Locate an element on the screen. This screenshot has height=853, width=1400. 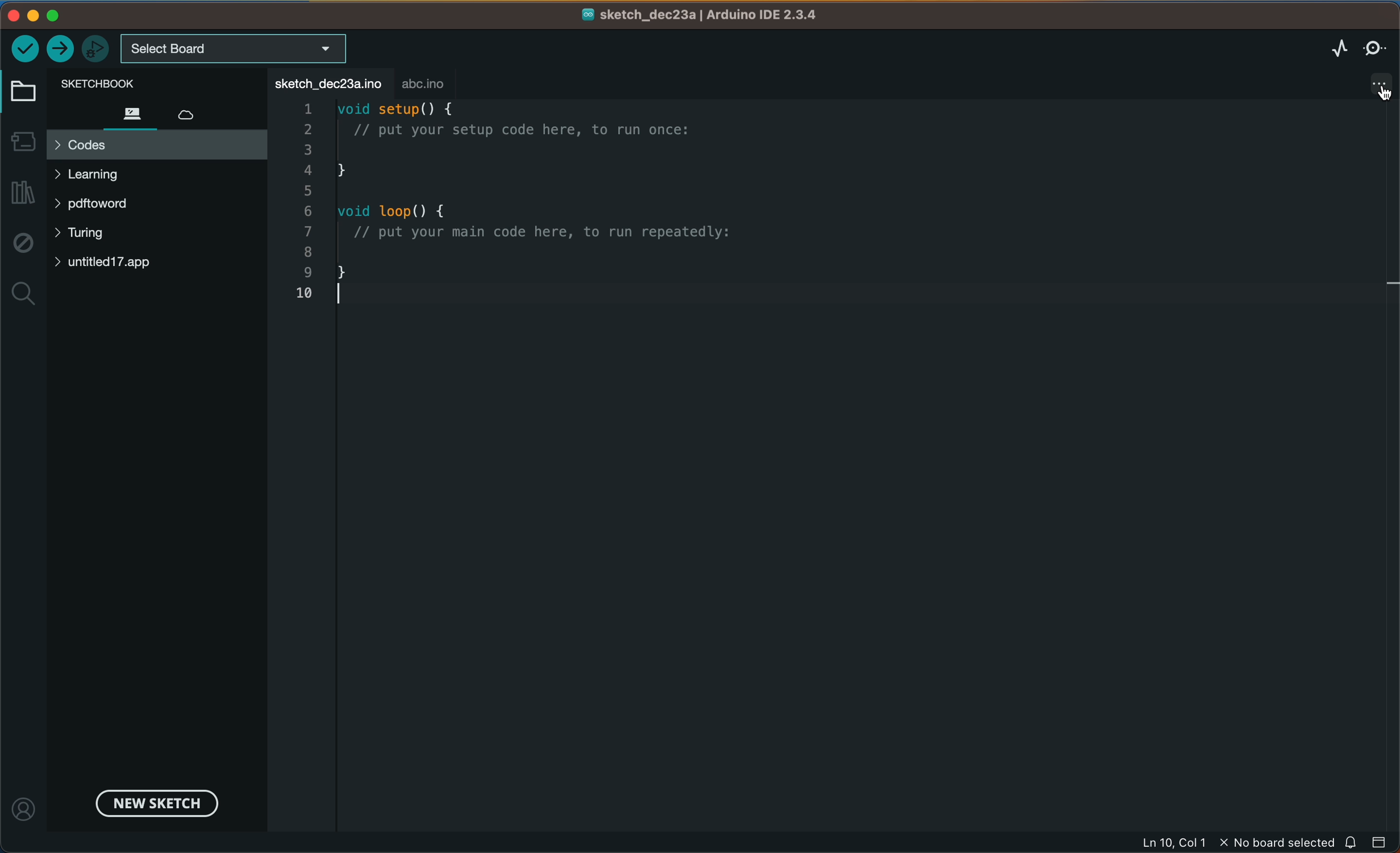
file settings is located at coordinates (1362, 84).